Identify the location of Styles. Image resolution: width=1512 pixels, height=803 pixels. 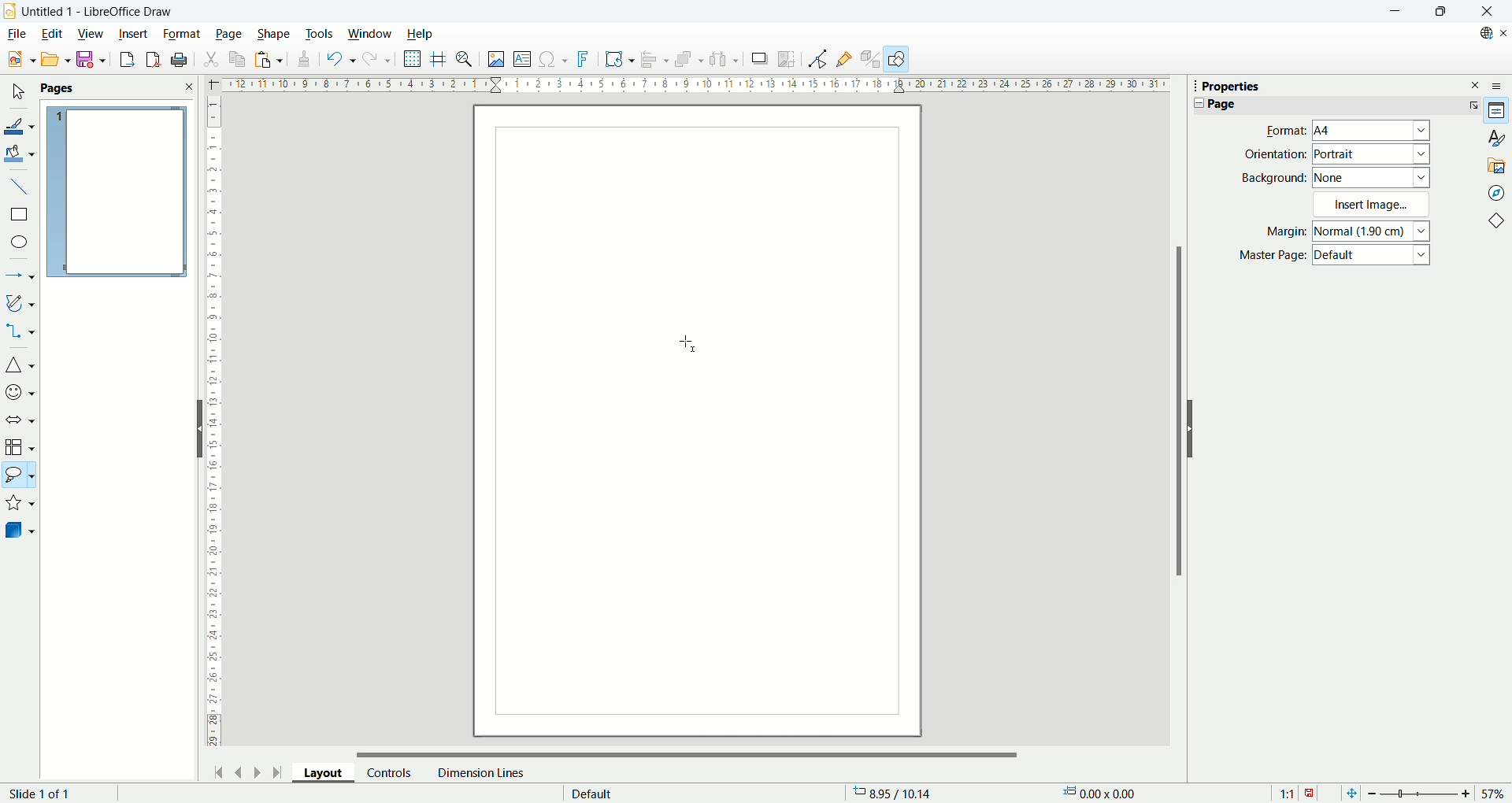
(1496, 138).